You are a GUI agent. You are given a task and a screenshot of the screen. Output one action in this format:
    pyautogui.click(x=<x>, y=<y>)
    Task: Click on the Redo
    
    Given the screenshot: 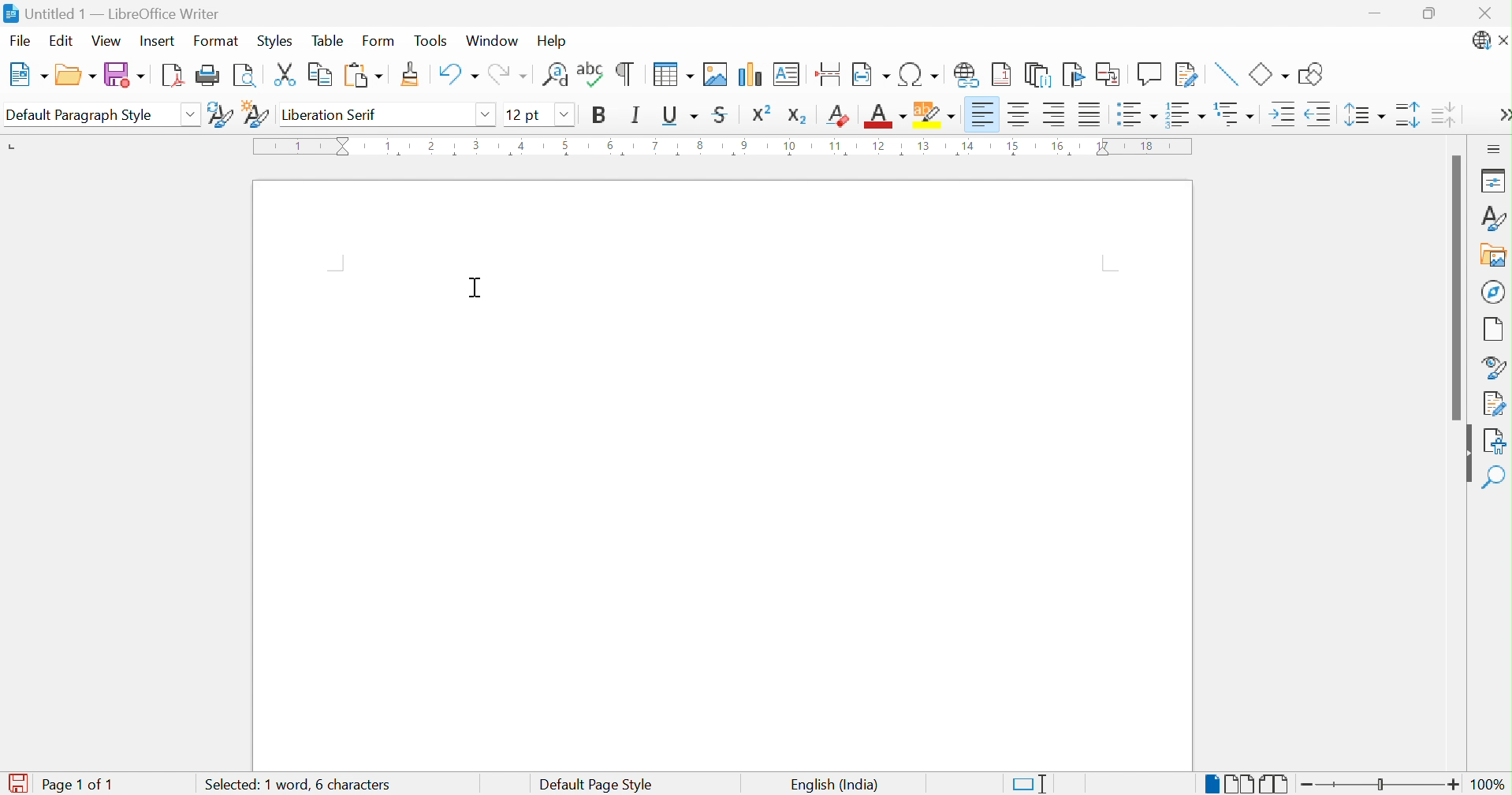 What is the action you would take?
    pyautogui.click(x=507, y=76)
    